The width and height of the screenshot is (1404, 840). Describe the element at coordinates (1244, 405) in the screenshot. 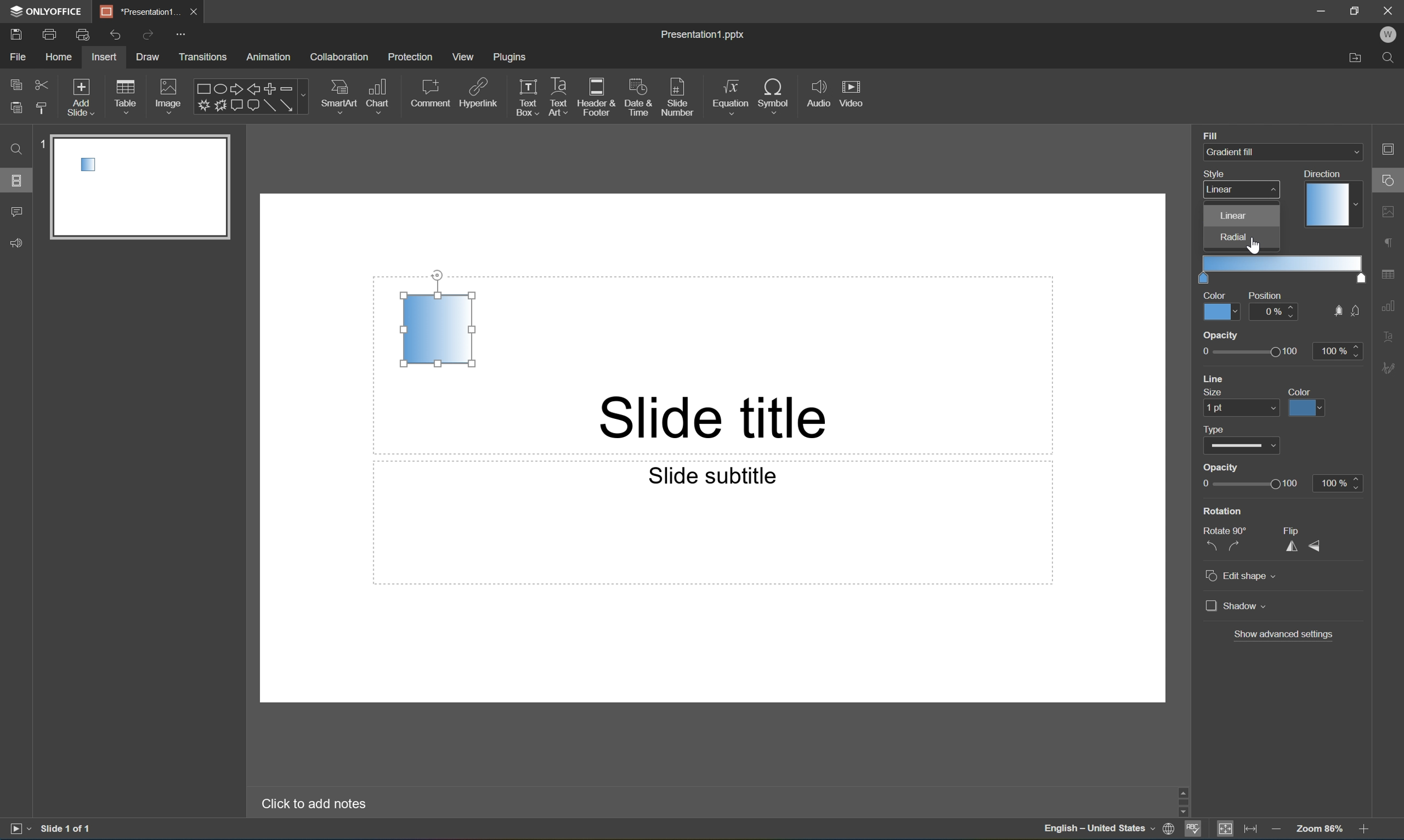

I see `size` at that location.